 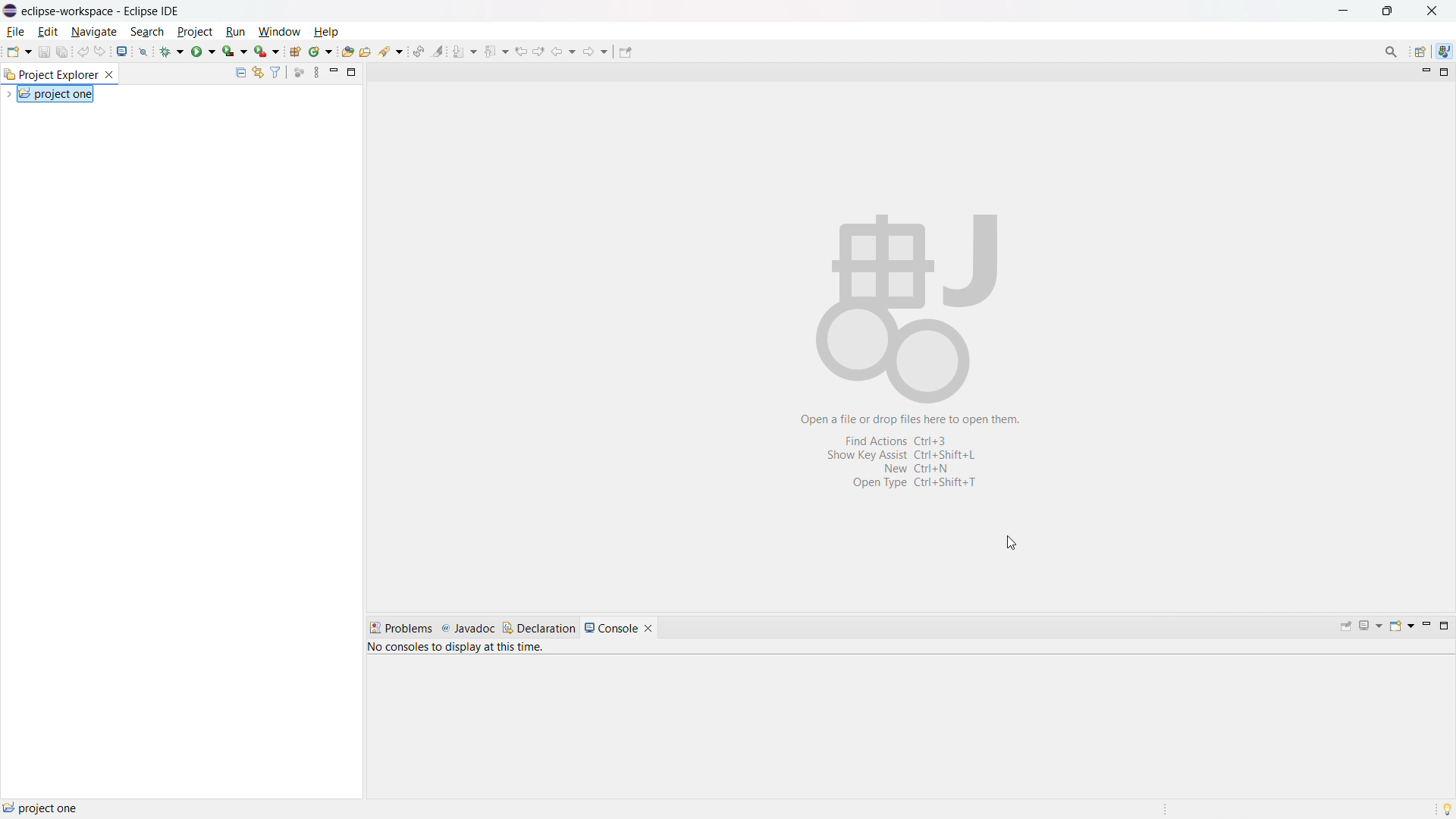 I want to click on coverage, so click(x=235, y=51).